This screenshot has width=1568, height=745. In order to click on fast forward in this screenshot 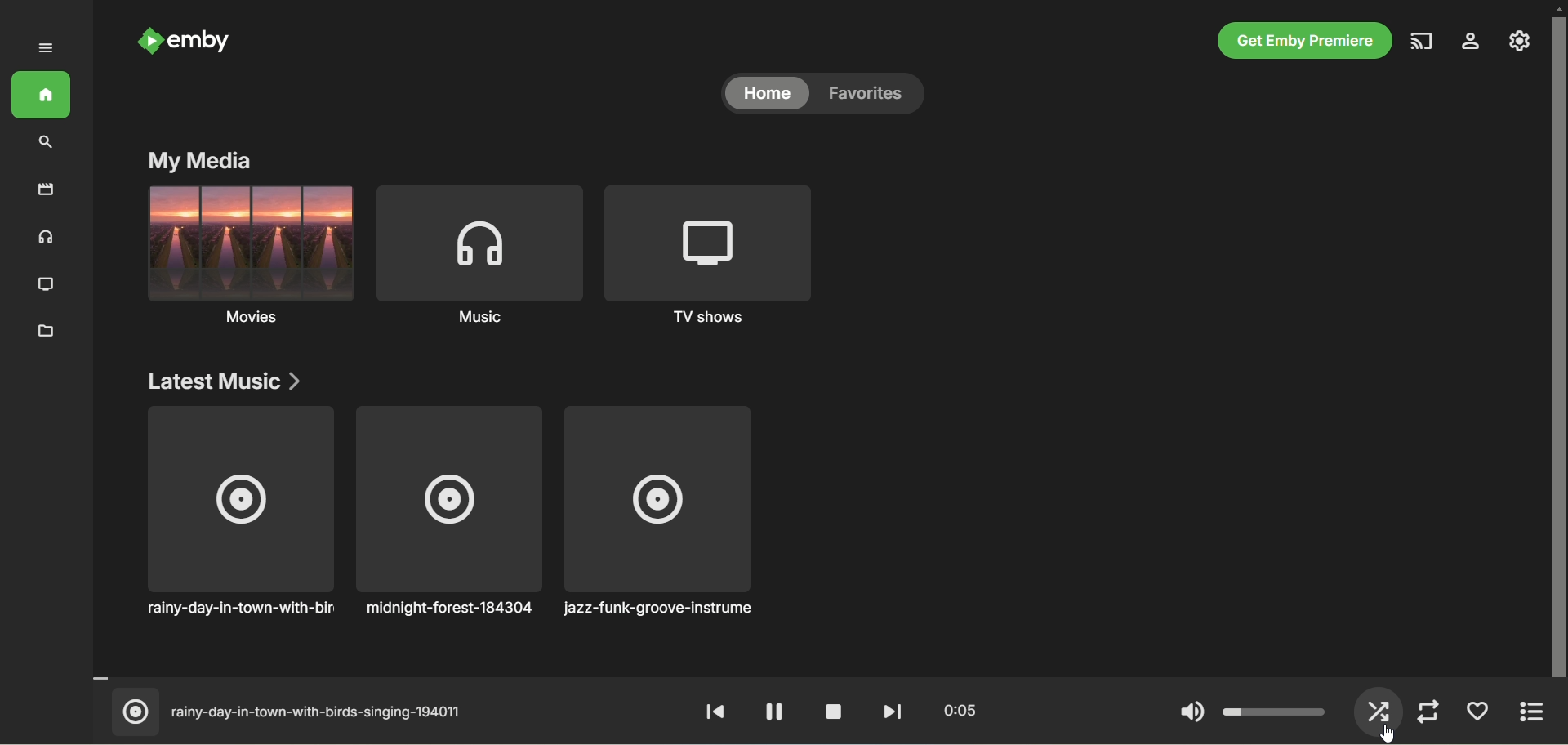, I will do `click(893, 713)`.